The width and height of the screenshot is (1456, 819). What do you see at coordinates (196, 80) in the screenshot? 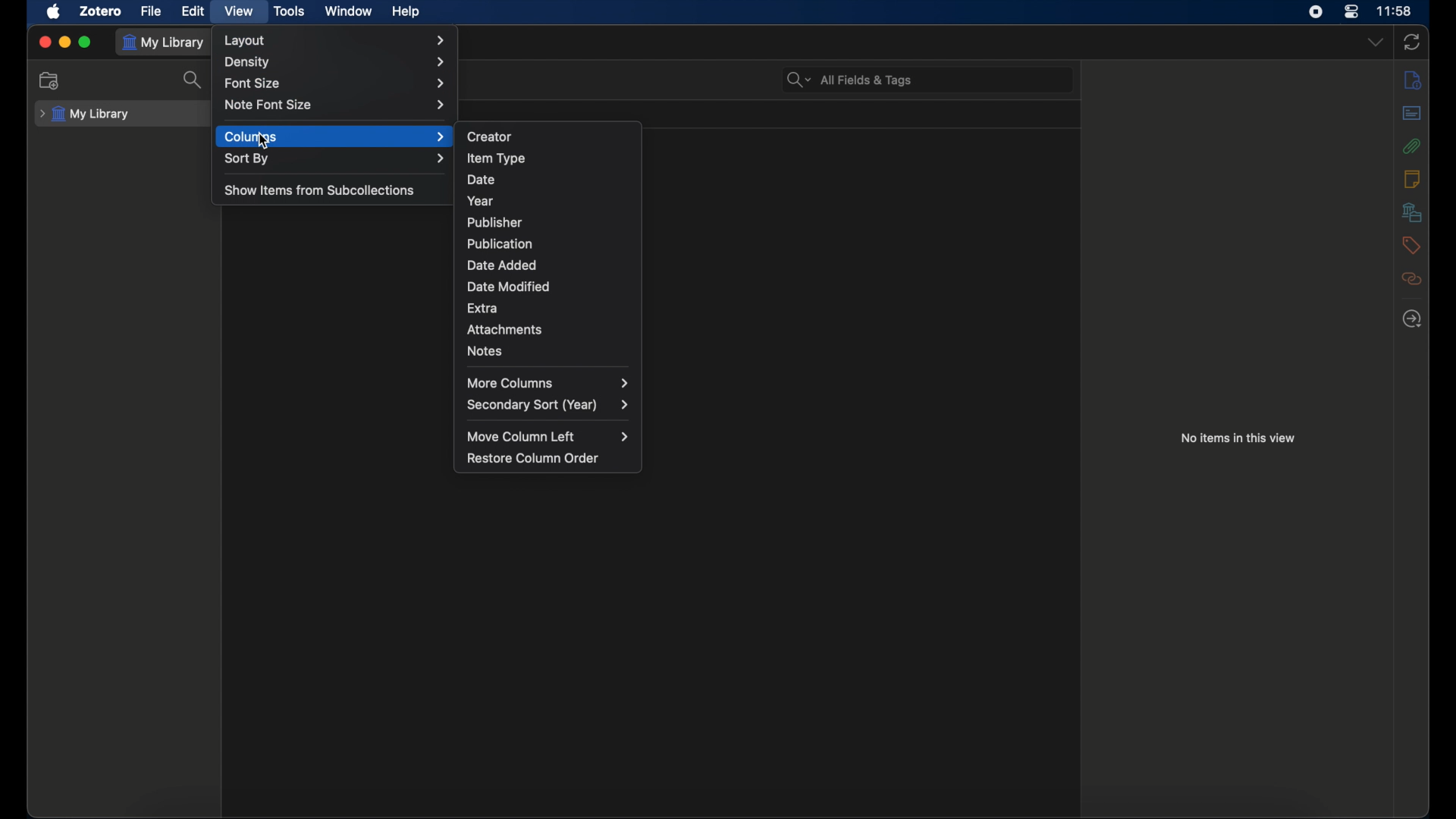
I see `search` at bounding box center [196, 80].